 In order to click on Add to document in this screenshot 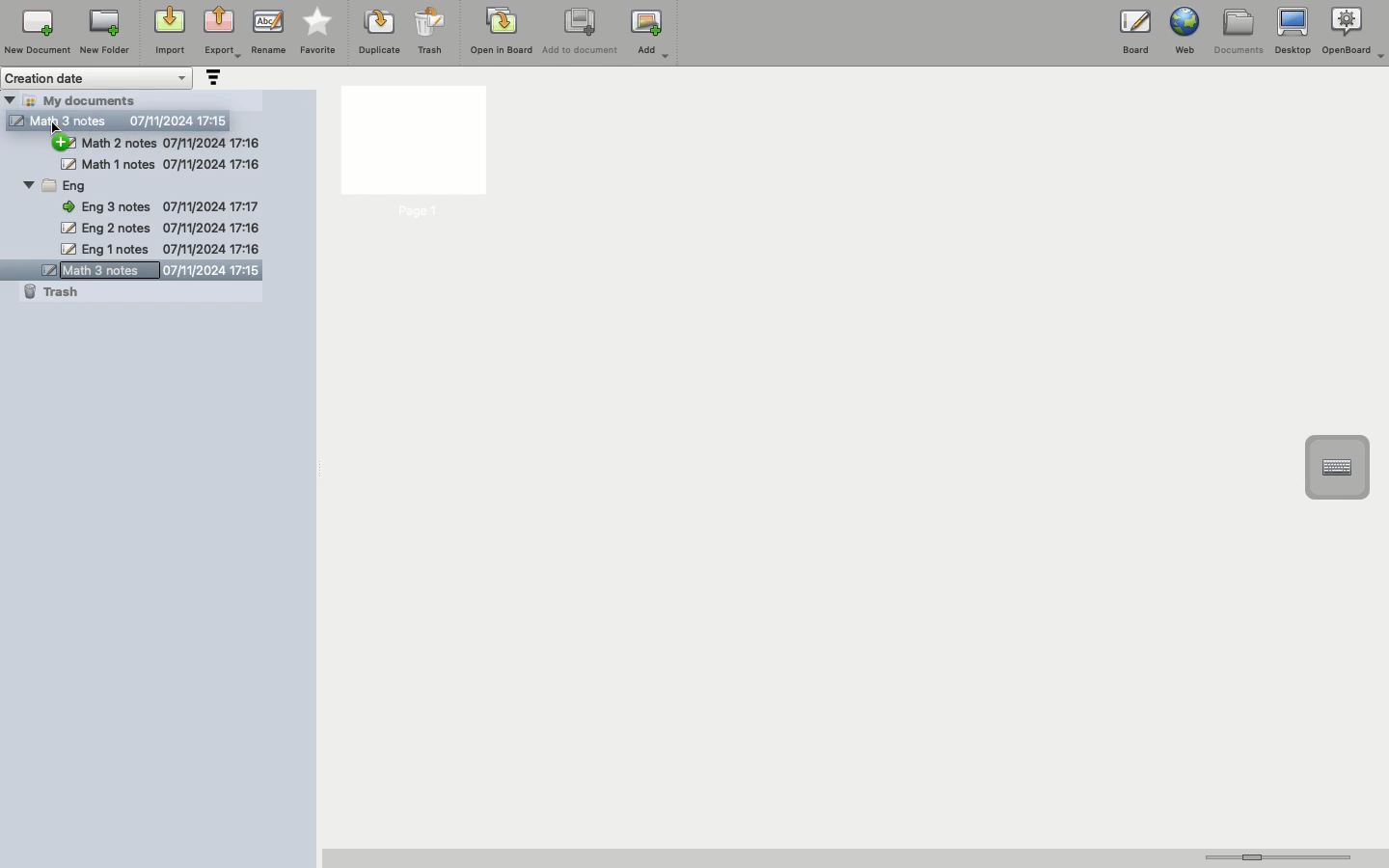, I will do `click(582, 33)`.